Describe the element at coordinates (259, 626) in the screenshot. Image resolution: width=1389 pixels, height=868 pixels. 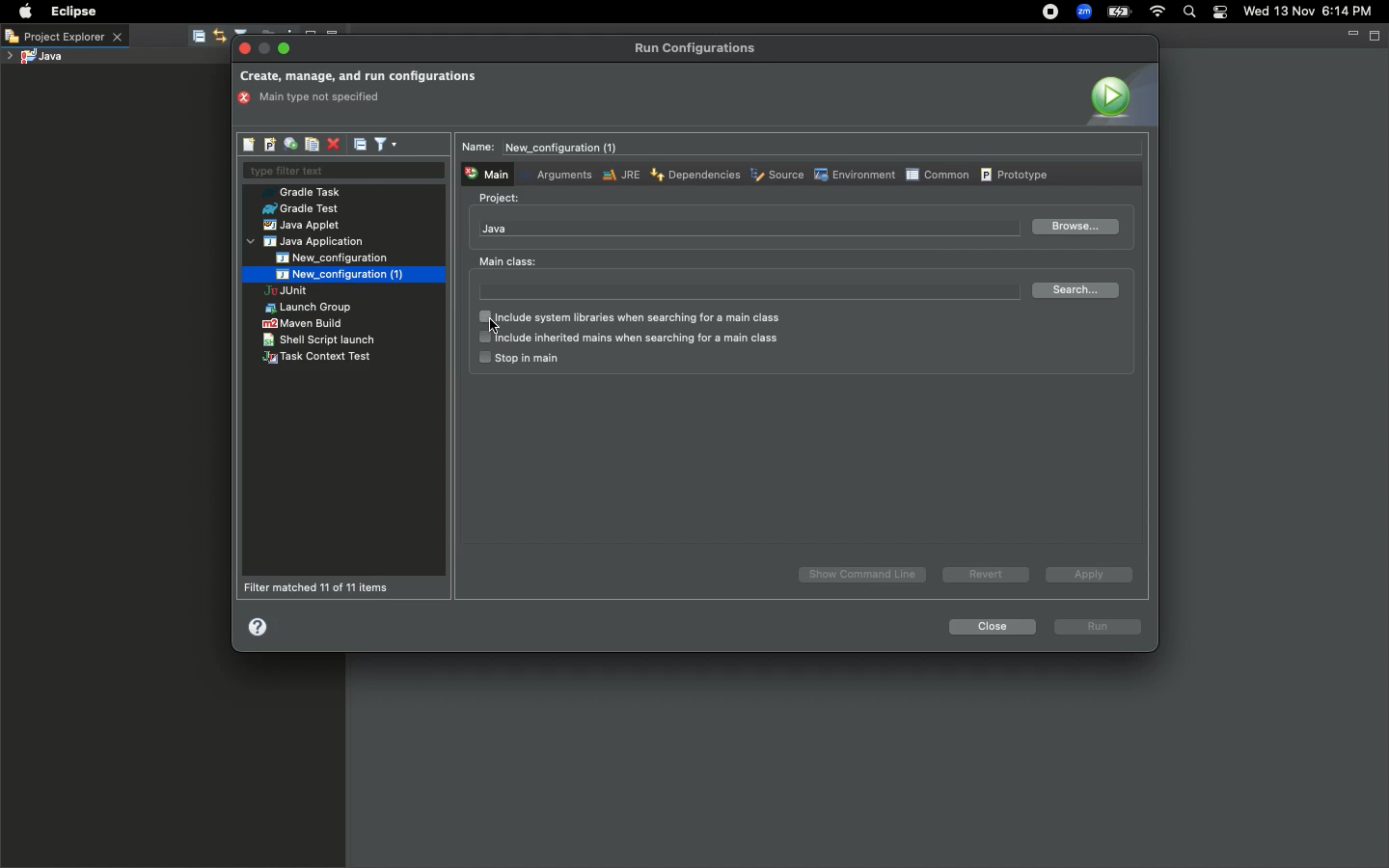
I see `Help` at that location.